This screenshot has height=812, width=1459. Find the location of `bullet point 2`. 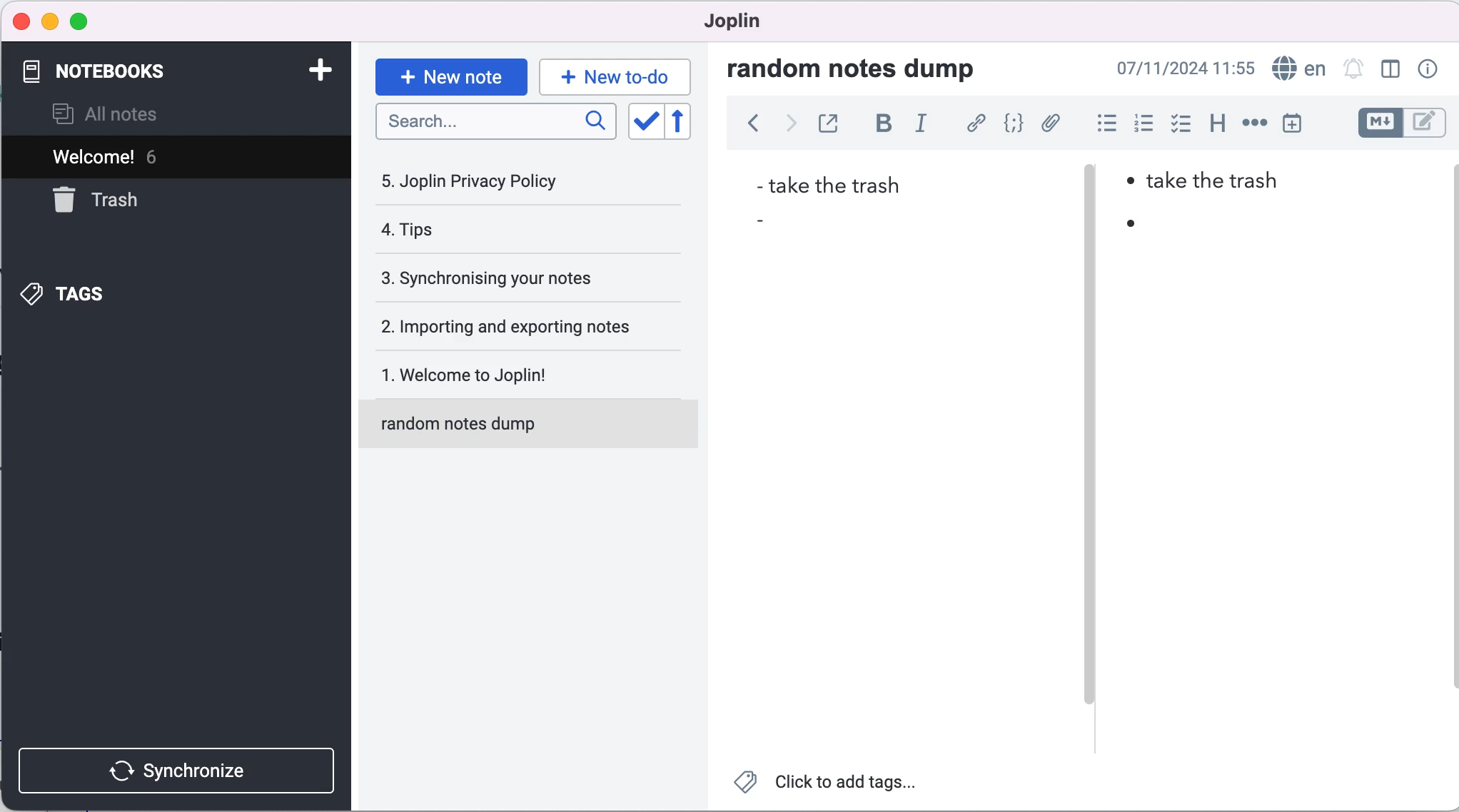

bullet point 2 is located at coordinates (769, 218).